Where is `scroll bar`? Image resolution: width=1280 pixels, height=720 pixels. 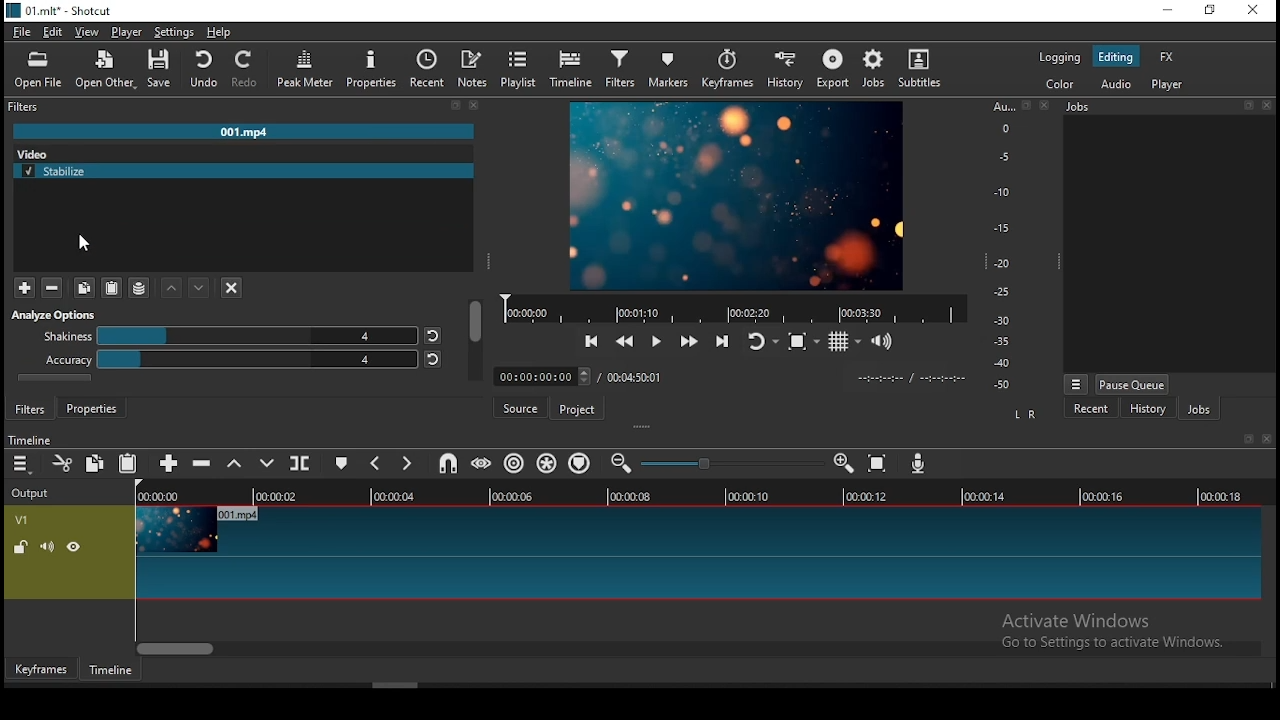
scroll bar is located at coordinates (695, 648).